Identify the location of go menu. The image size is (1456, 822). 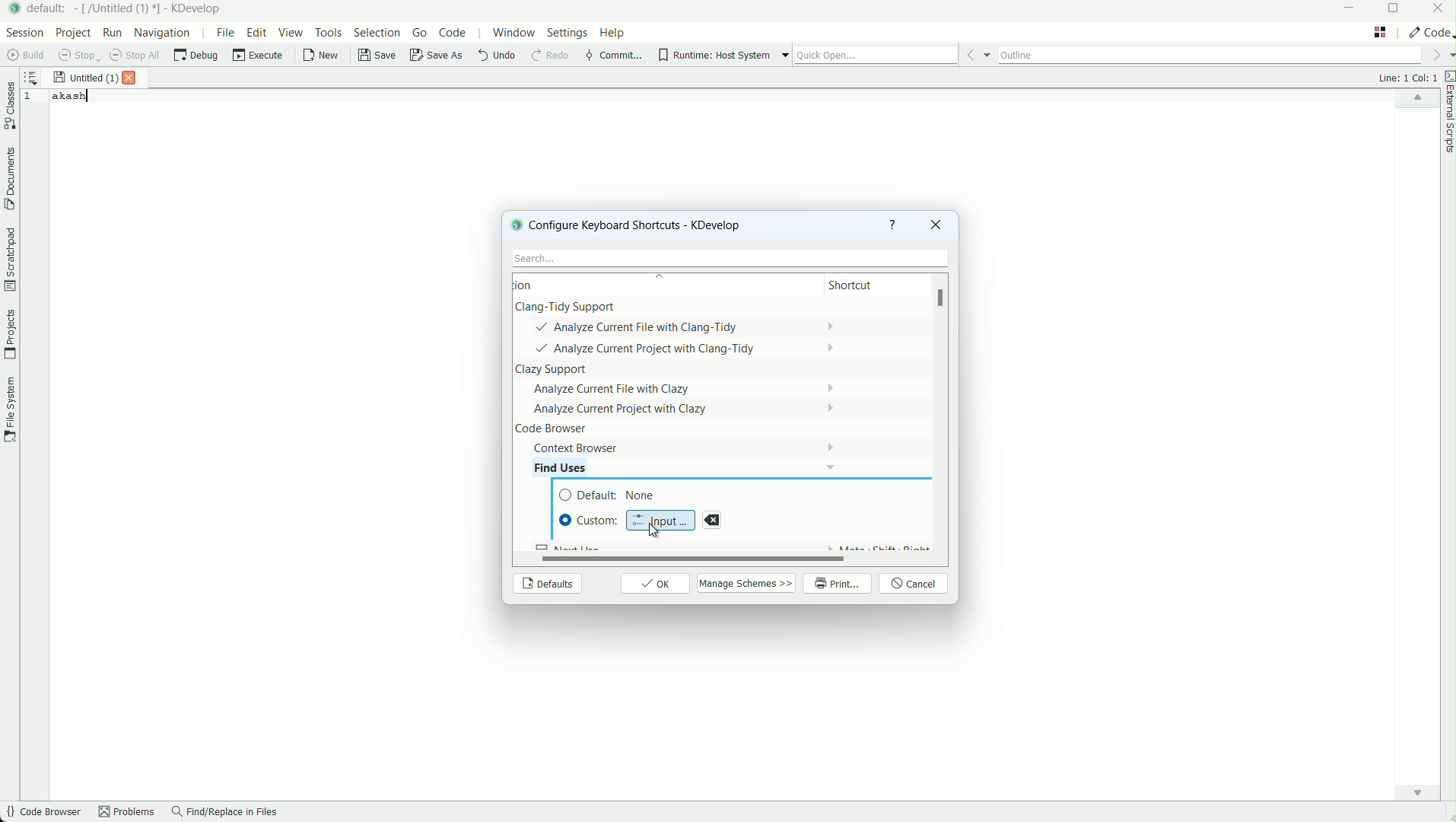
(421, 33).